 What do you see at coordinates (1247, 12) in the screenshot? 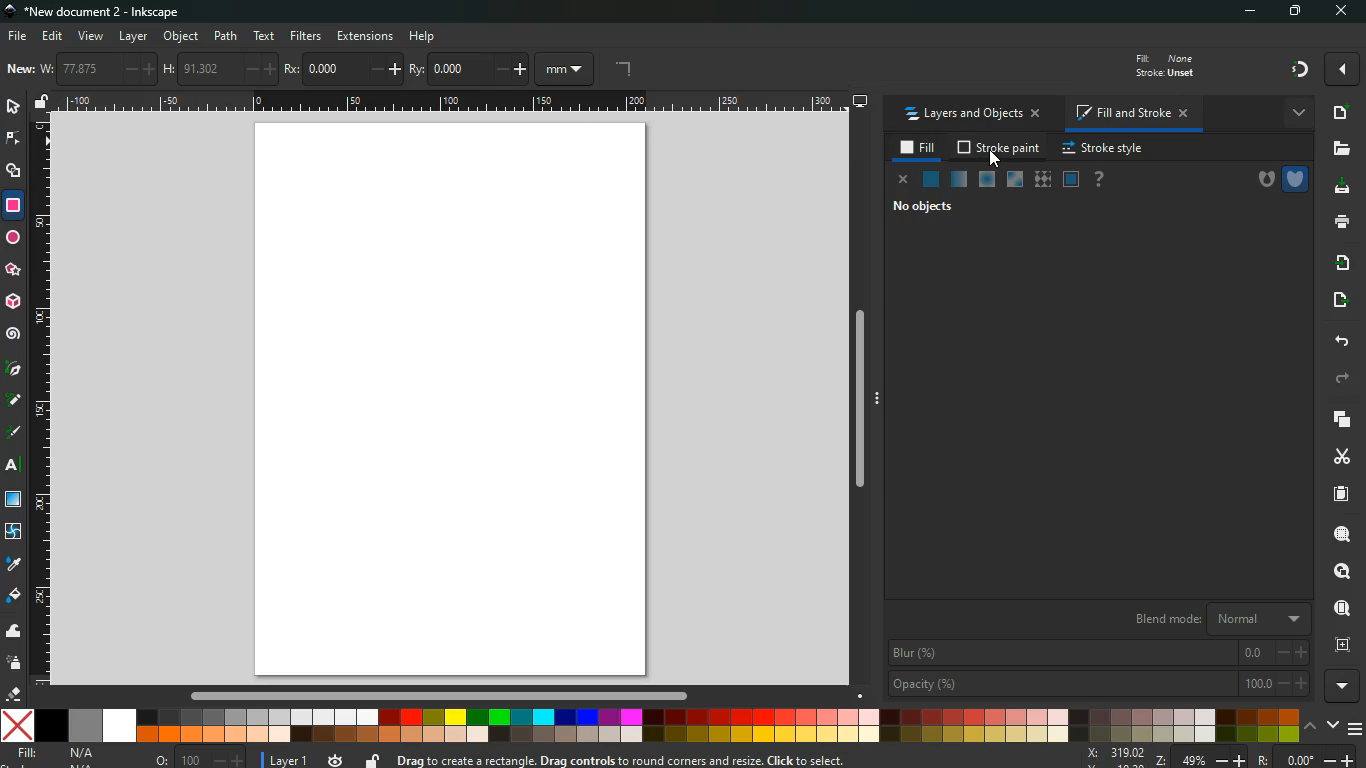
I see `minimize` at bounding box center [1247, 12].